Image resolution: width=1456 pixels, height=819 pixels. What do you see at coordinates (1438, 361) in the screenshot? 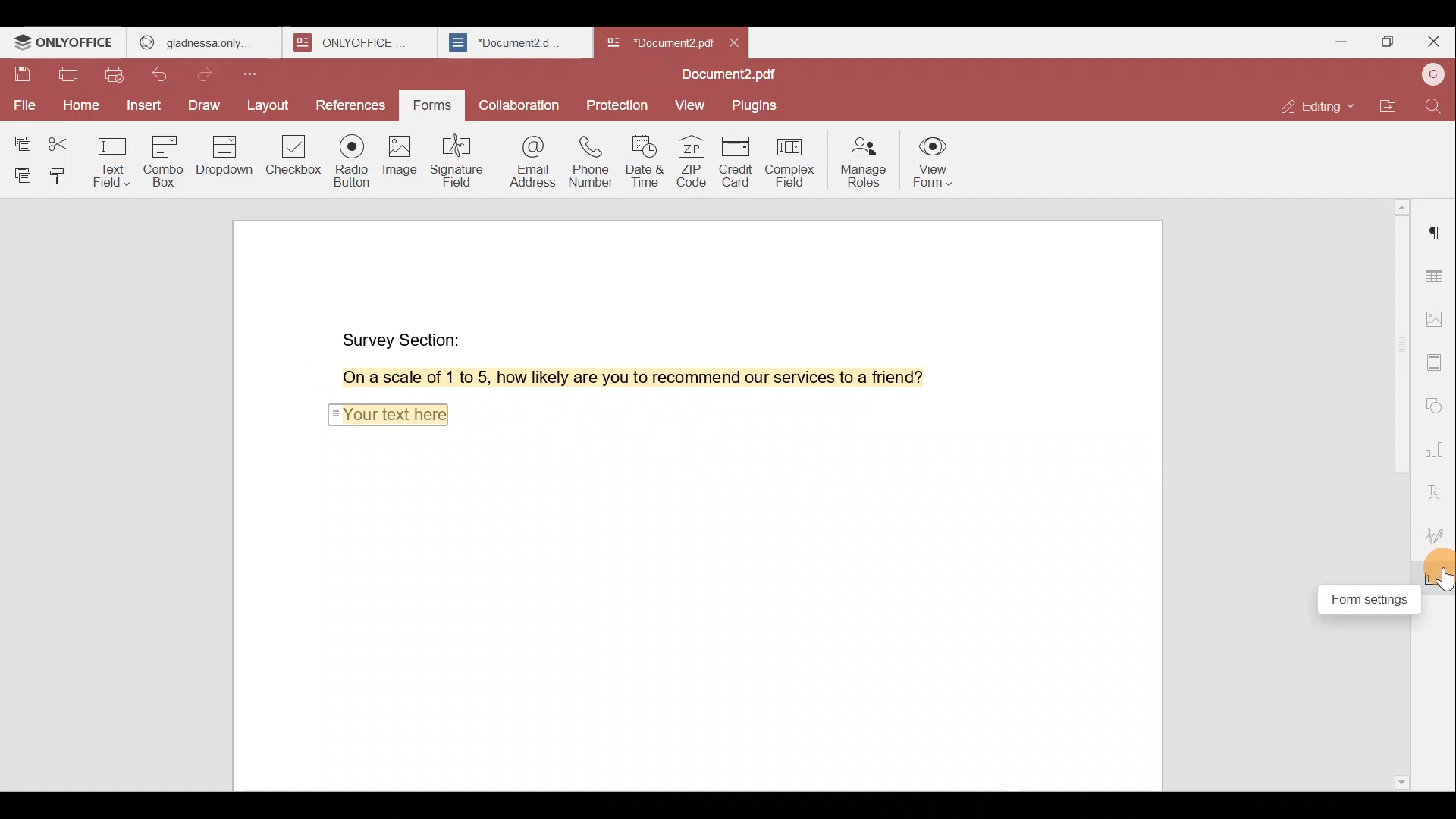
I see `Header & footer settings` at bounding box center [1438, 361].